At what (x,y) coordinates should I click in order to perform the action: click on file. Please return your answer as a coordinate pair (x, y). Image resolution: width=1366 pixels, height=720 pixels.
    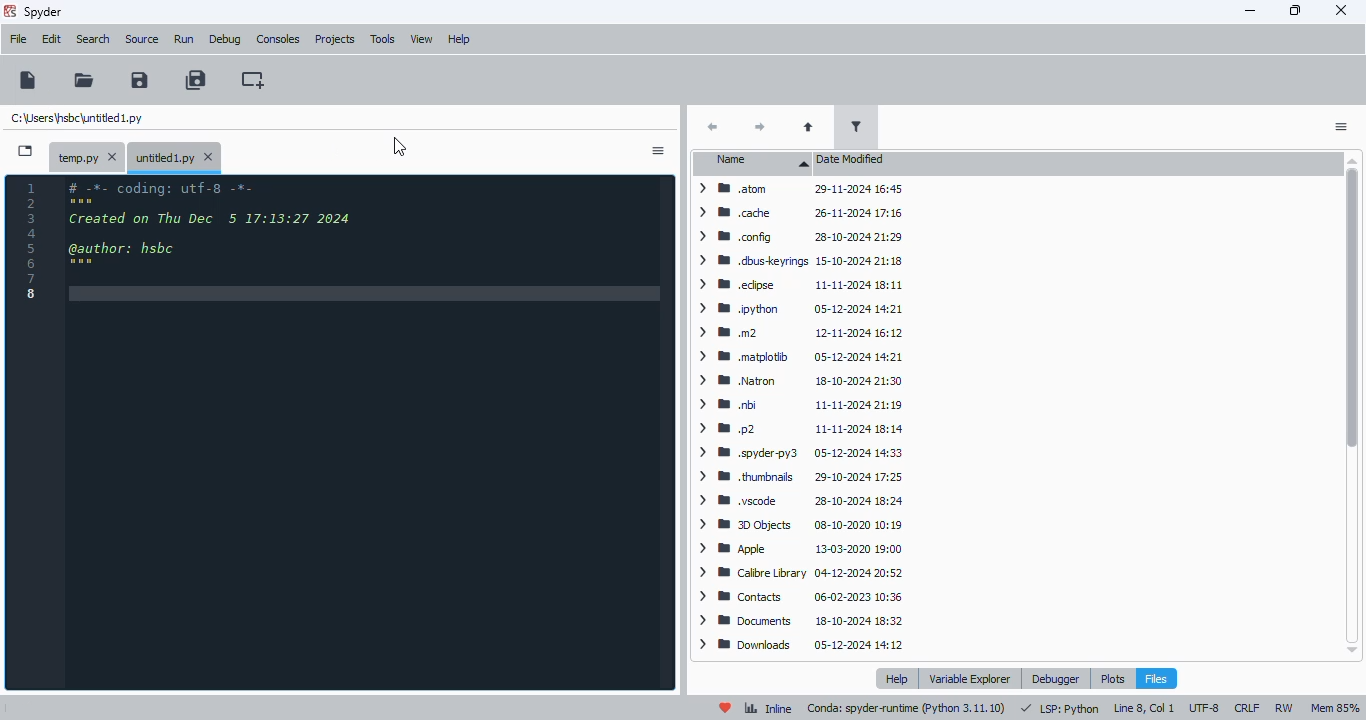
    Looking at the image, I should click on (19, 39).